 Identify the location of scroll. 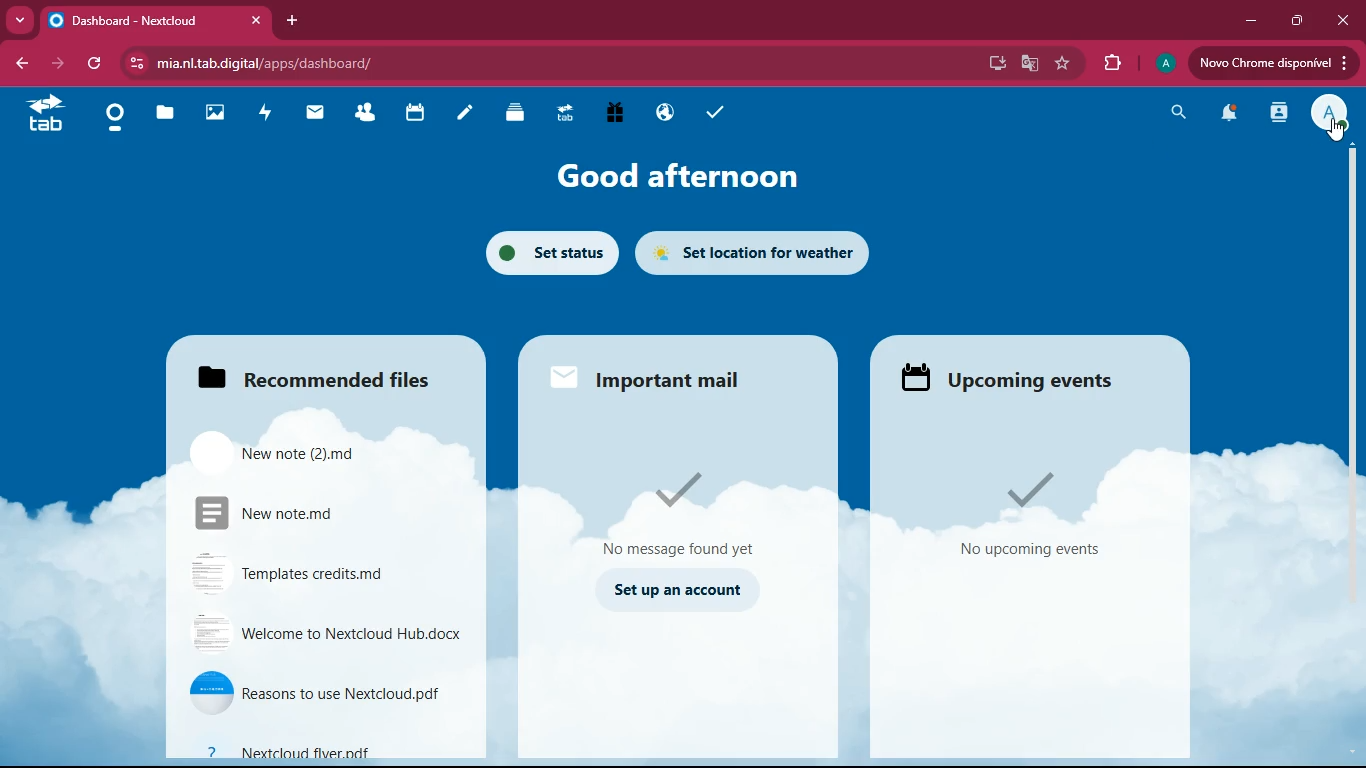
(1347, 323).